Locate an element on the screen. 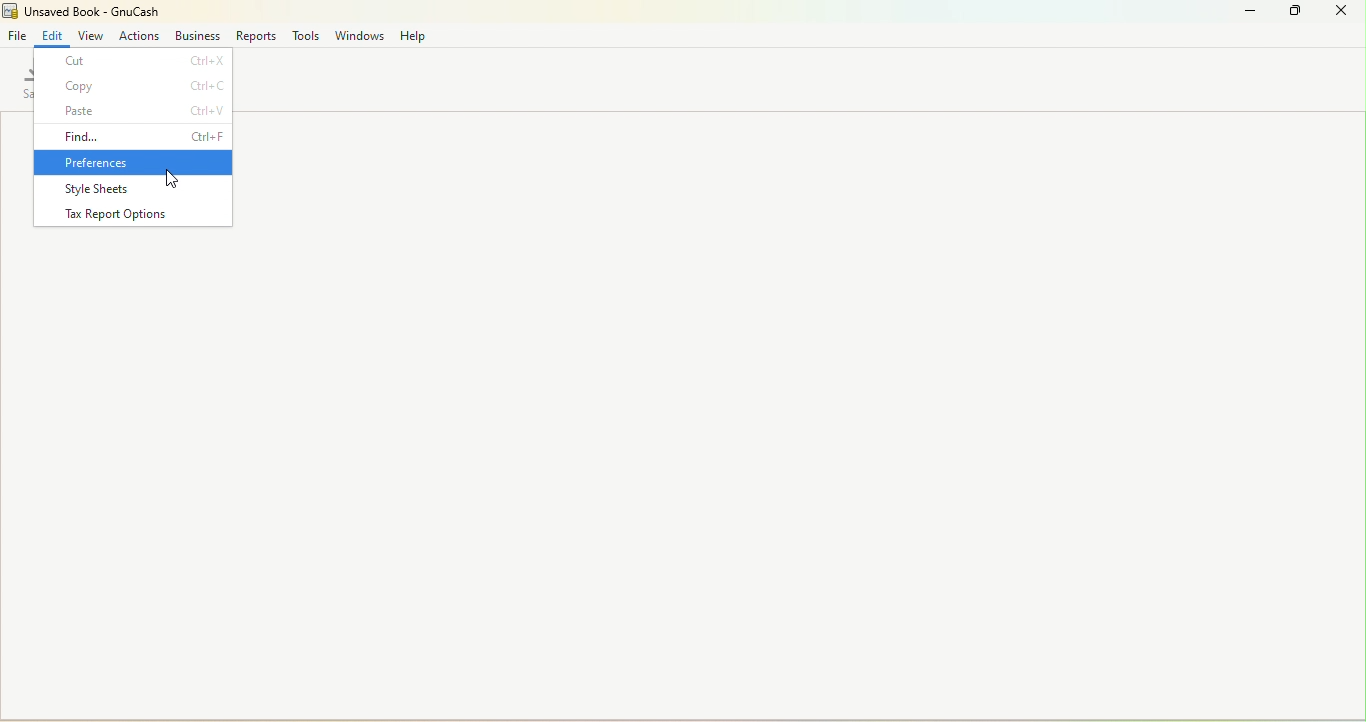 The width and height of the screenshot is (1366, 722). Find is located at coordinates (131, 136).